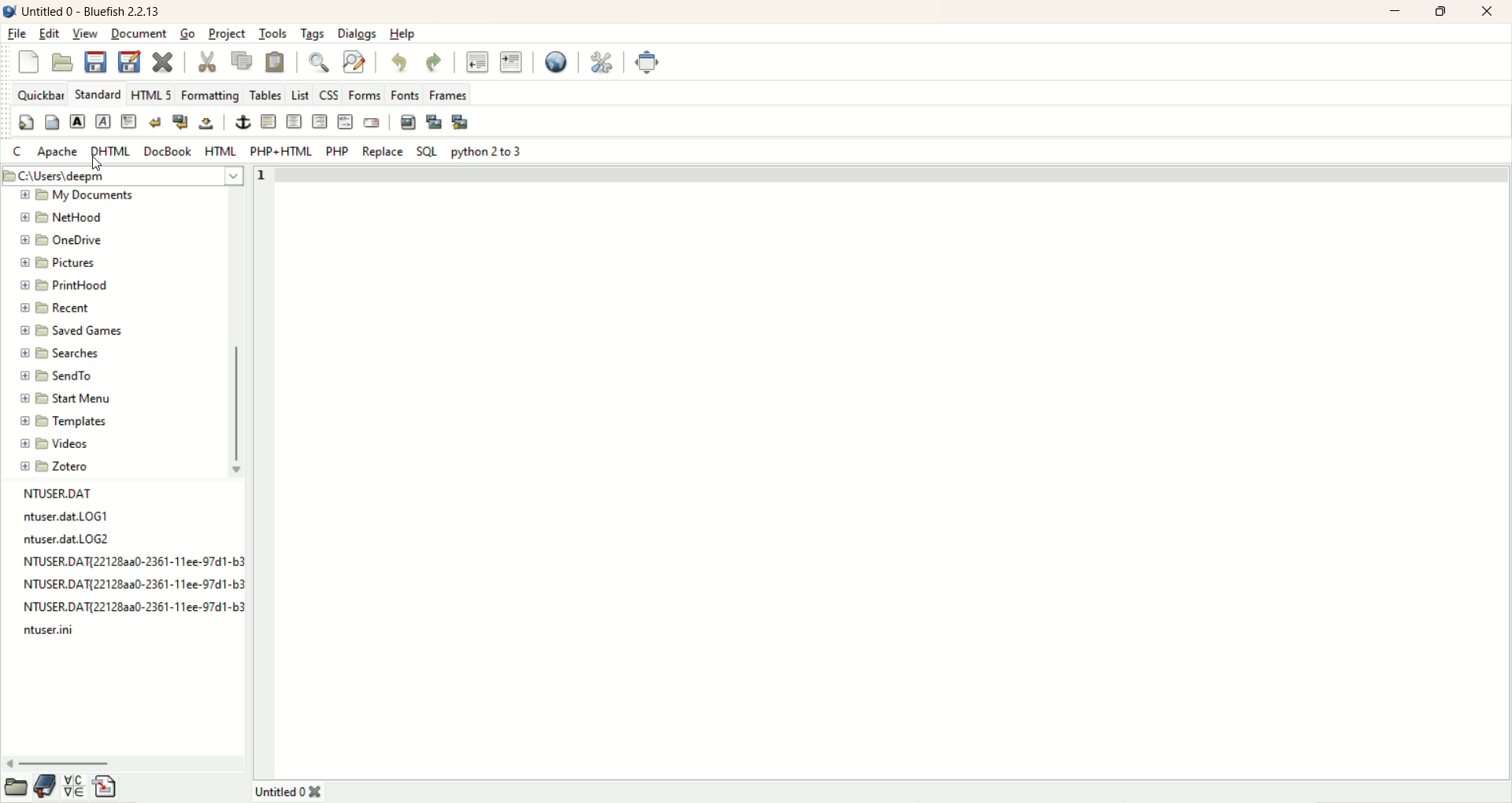 This screenshot has height=803, width=1512. What do you see at coordinates (240, 123) in the screenshot?
I see `anchor/hyperlink` at bounding box center [240, 123].